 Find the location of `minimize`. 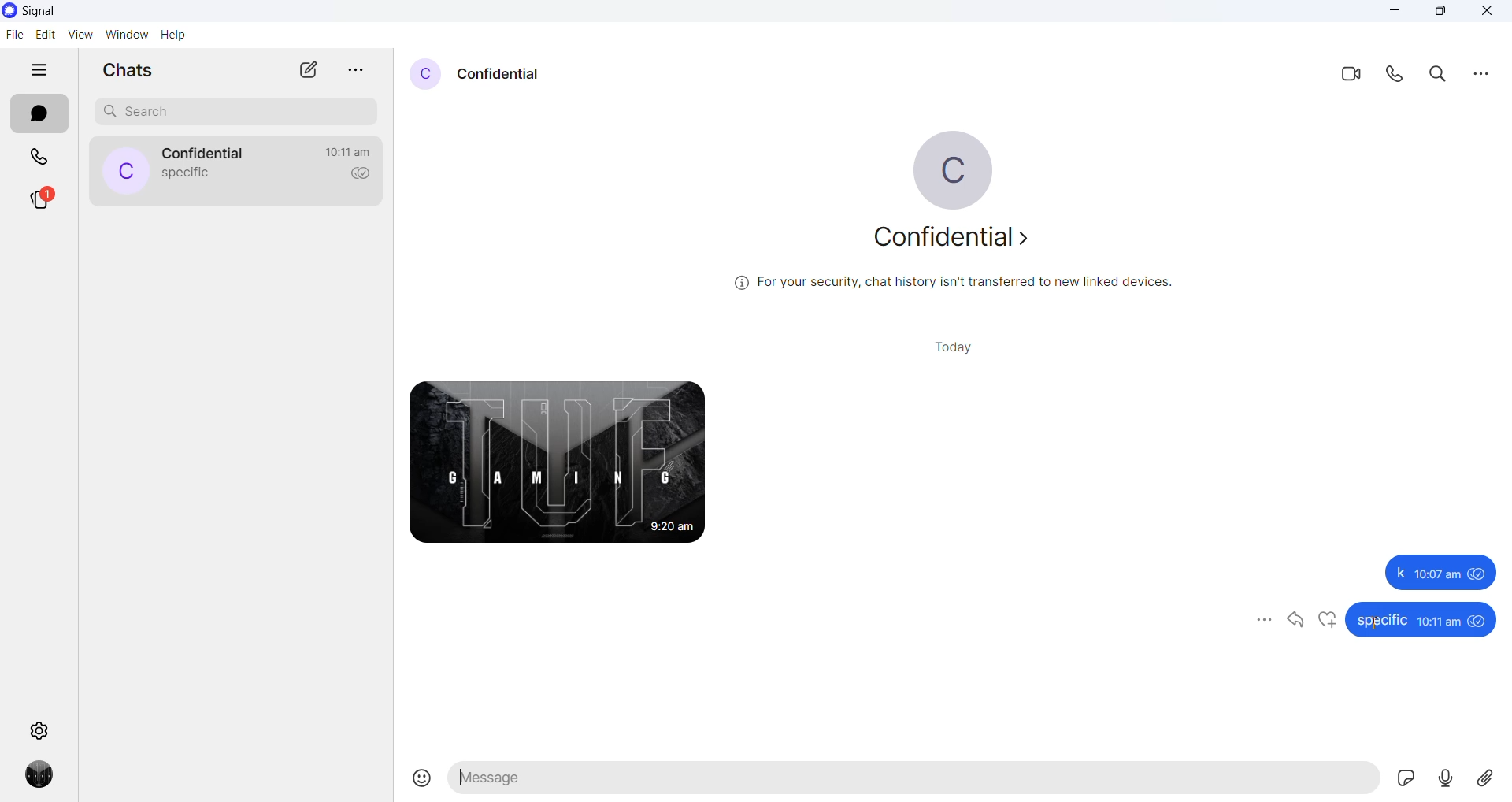

minimize is located at coordinates (1397, 12).